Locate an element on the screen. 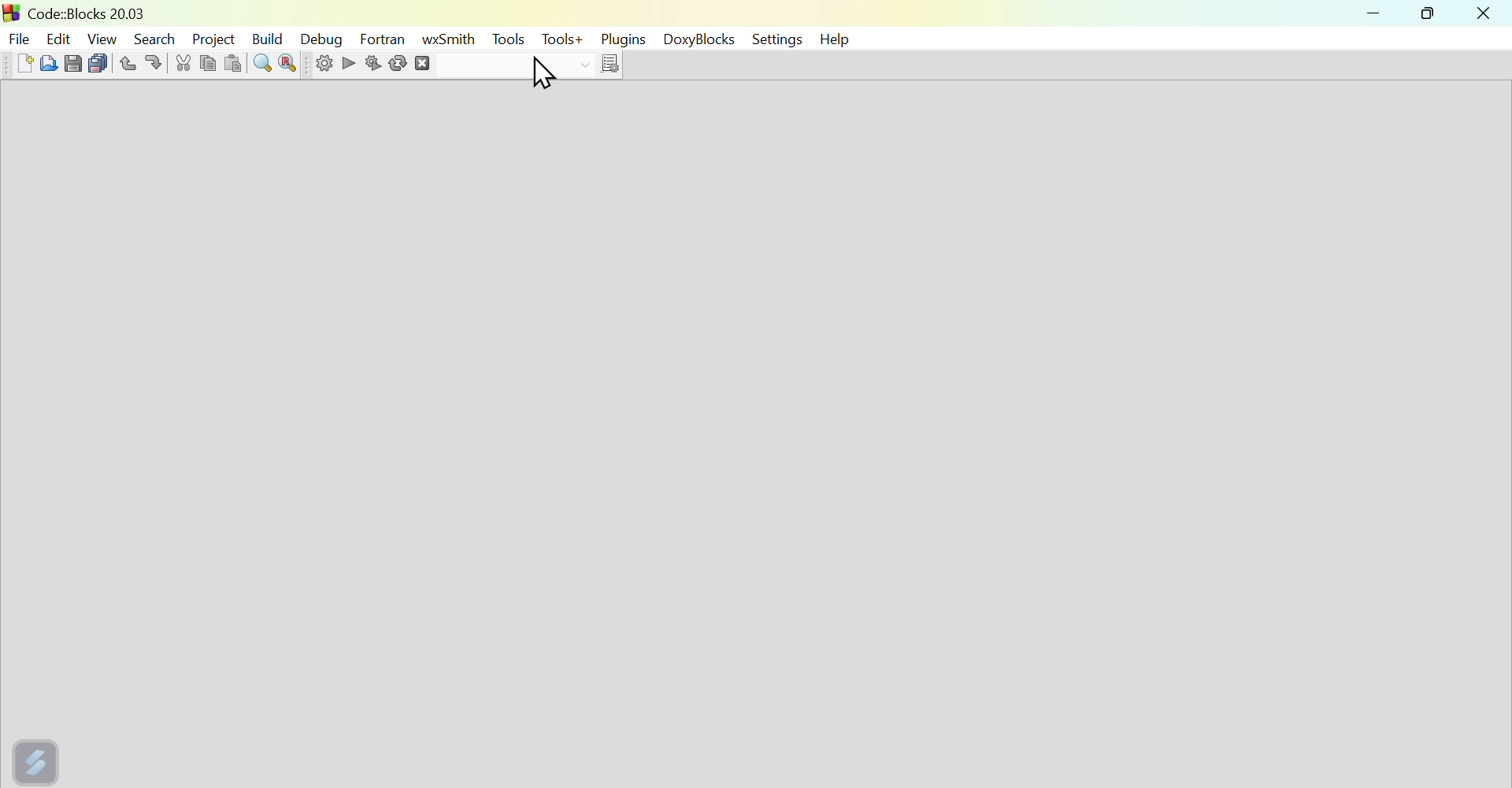 This screenshot has height=788, width=1512. project is located at coordinates (213, 36).